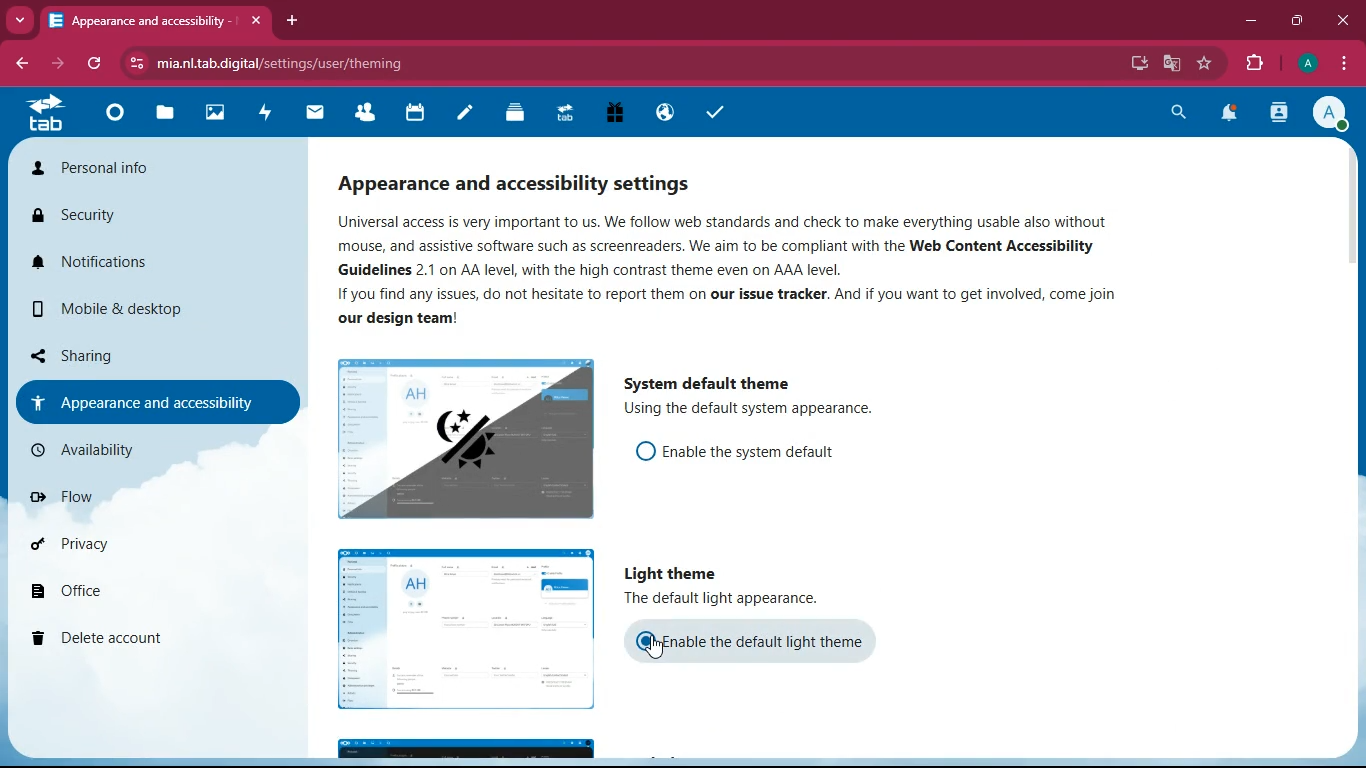  What do you see at coordinates (468, 746) in the screenshot?
I see `image` at bounding box center [468, 746].